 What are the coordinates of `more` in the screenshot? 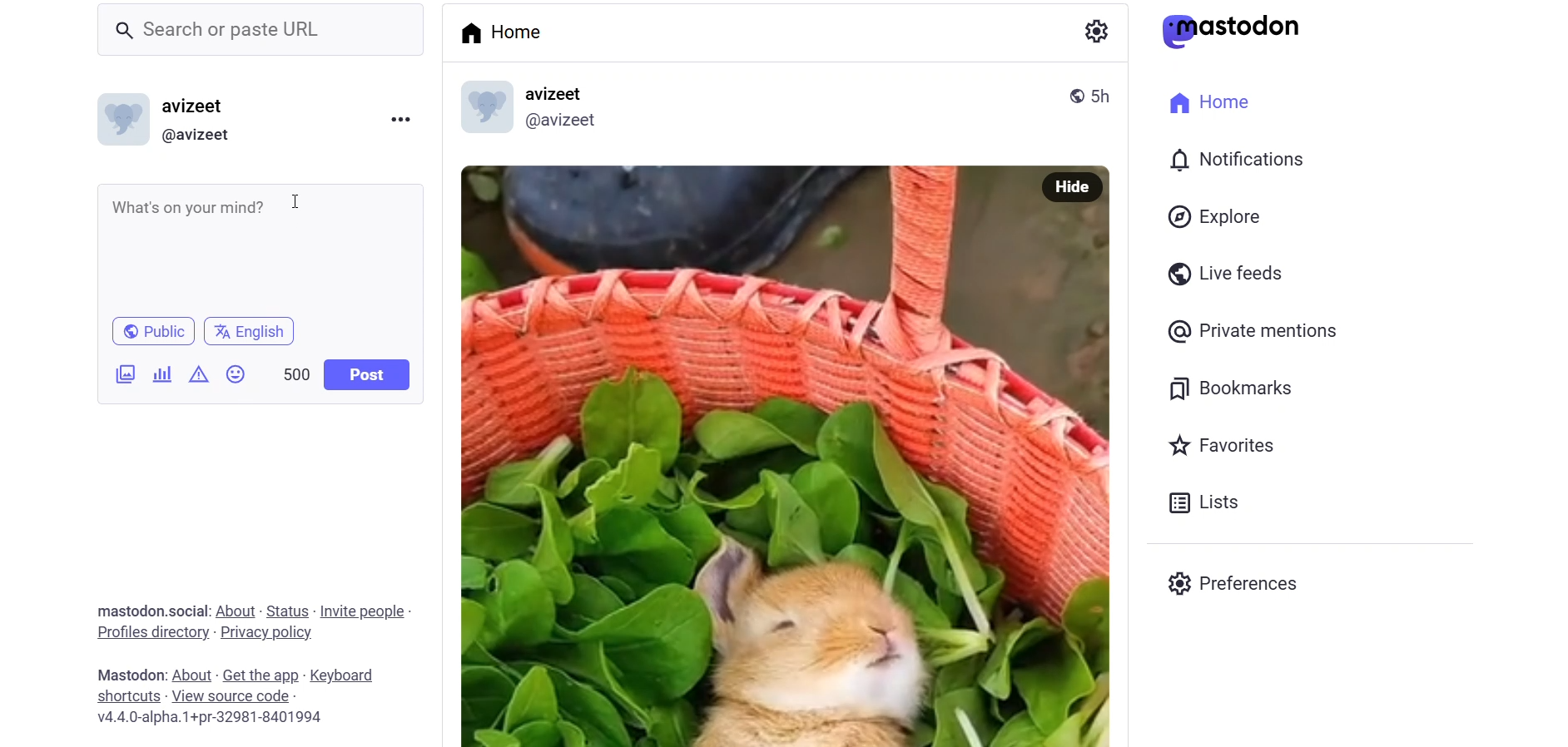 It's located at (408, 121).